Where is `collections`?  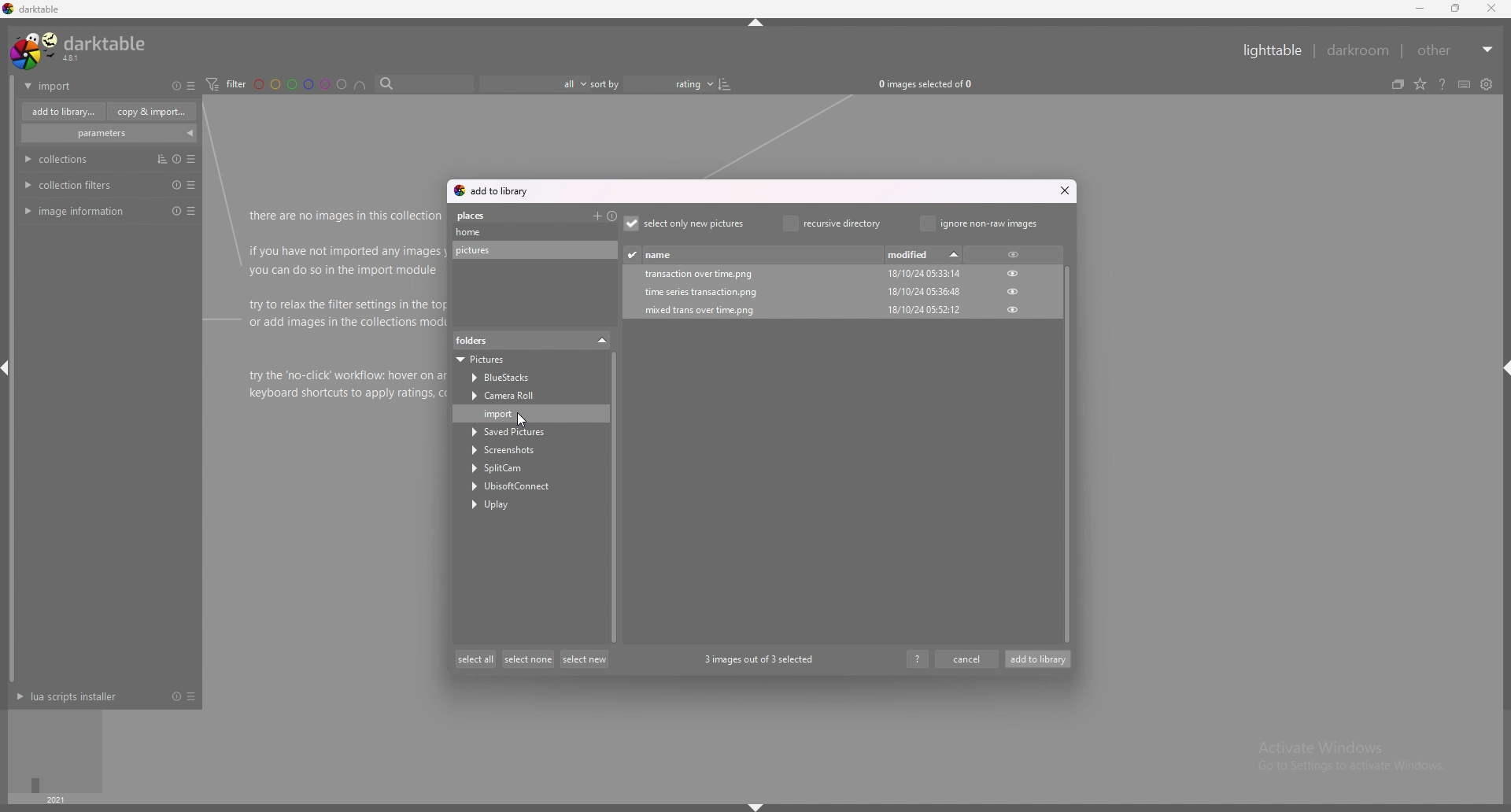 collections is located at coordinates (63, 159).